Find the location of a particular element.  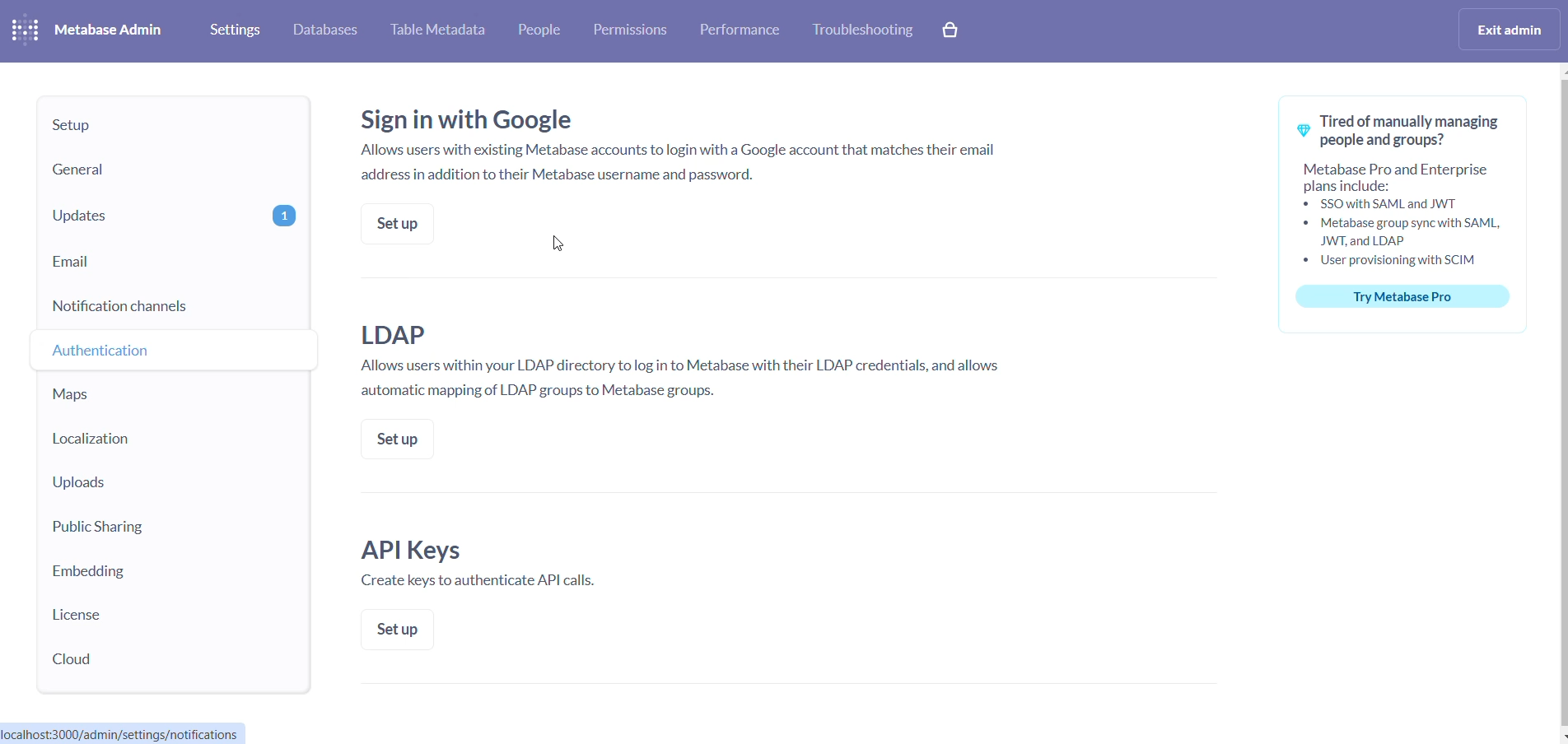

settings is located at coordinates (231, 29).